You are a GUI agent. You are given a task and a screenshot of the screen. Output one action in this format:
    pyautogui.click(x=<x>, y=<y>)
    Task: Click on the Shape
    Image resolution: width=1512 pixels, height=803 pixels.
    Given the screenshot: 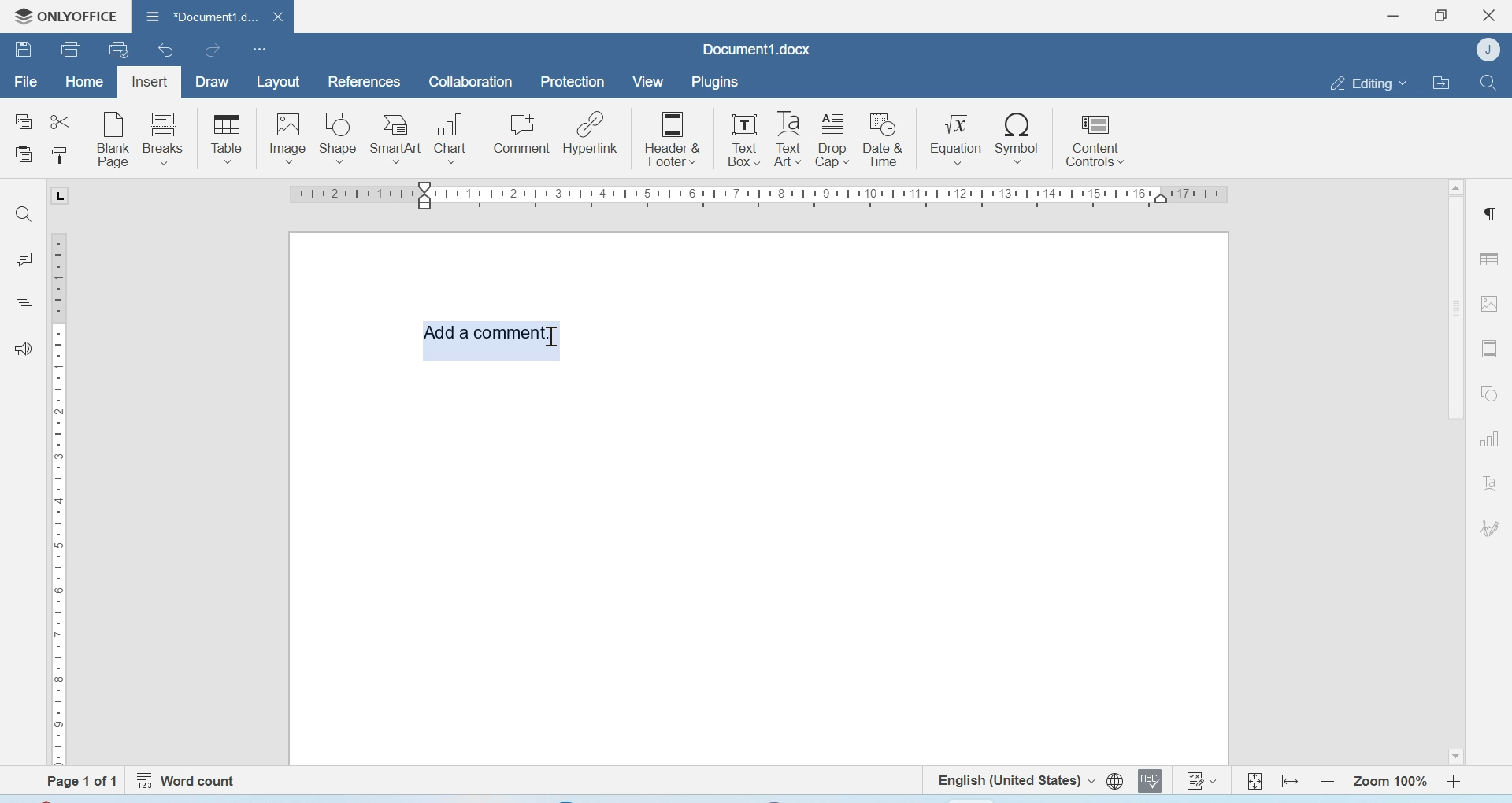 What is the action you would take?
    pyautogui.click(x=339, y=139)
    